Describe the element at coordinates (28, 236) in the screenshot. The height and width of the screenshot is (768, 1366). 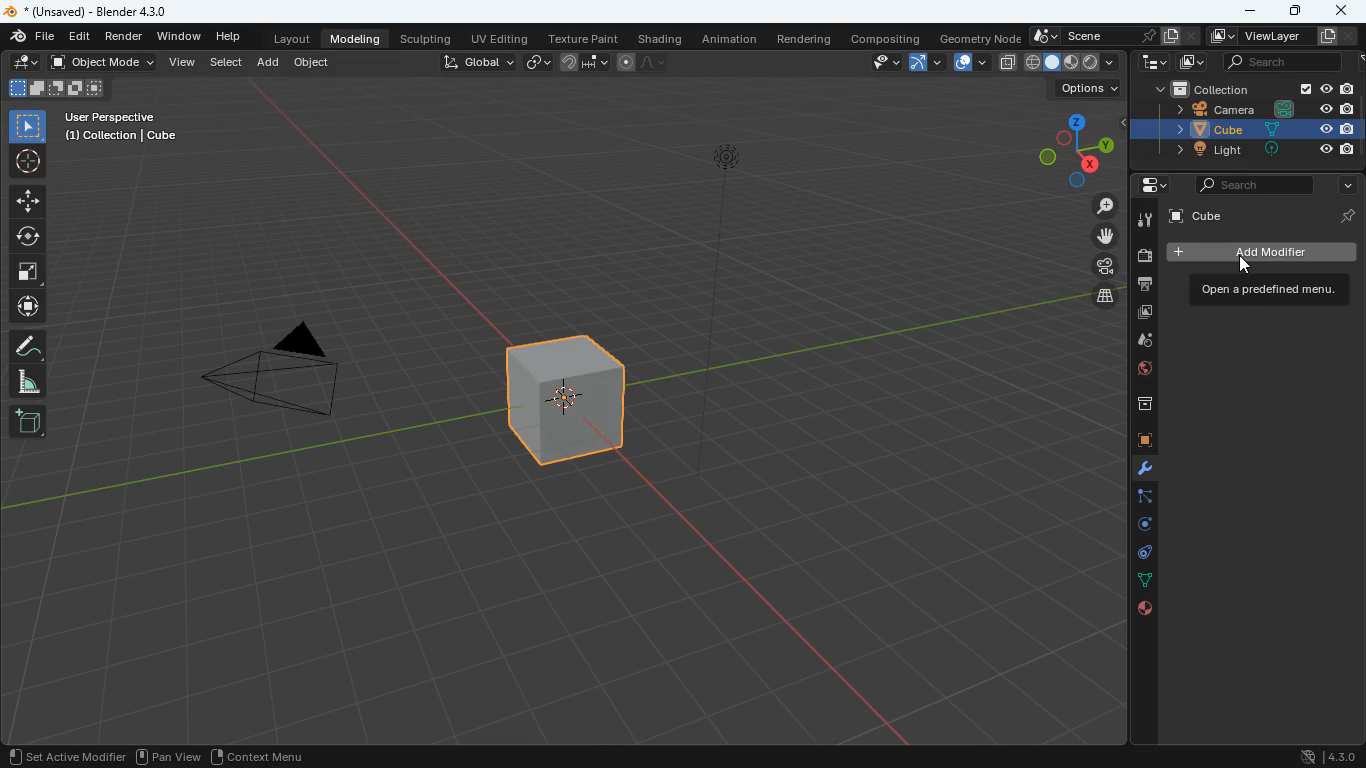
I see `rotate` at that location.